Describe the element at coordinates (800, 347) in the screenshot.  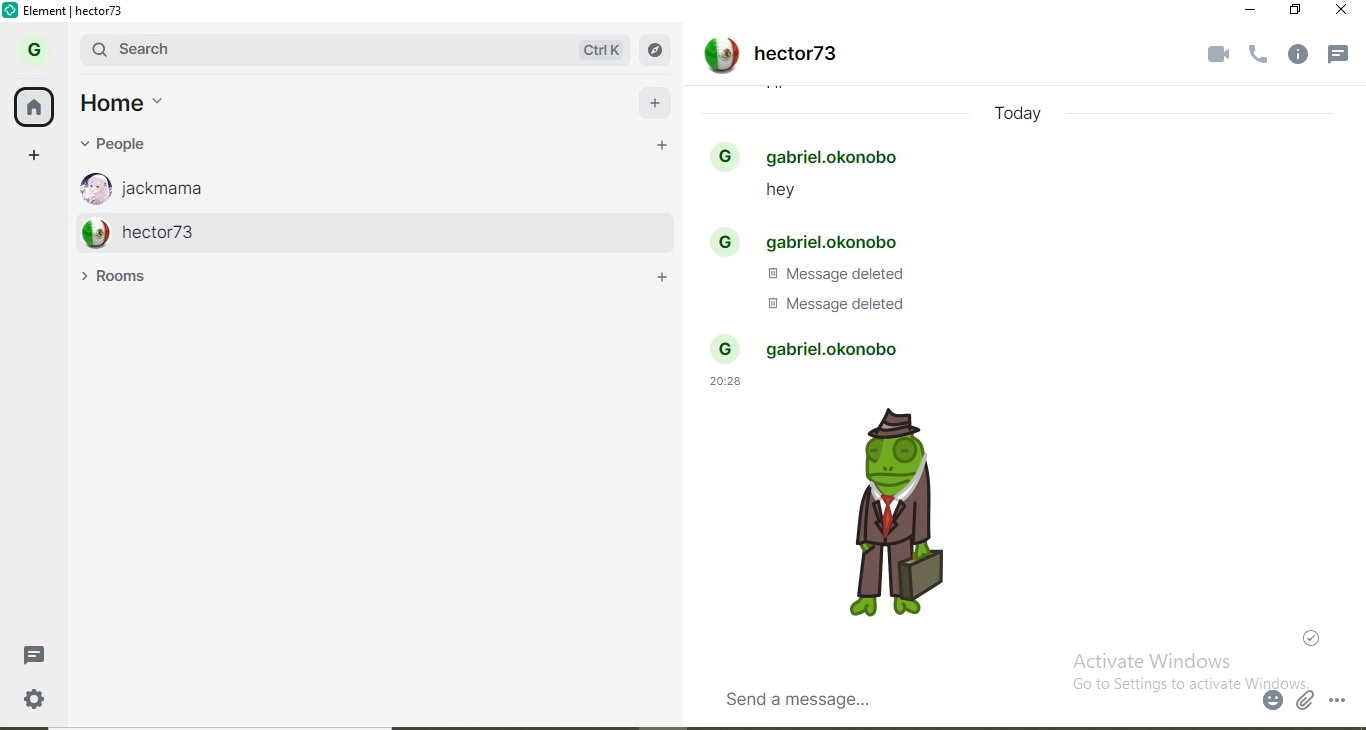
I see `people` at that location.